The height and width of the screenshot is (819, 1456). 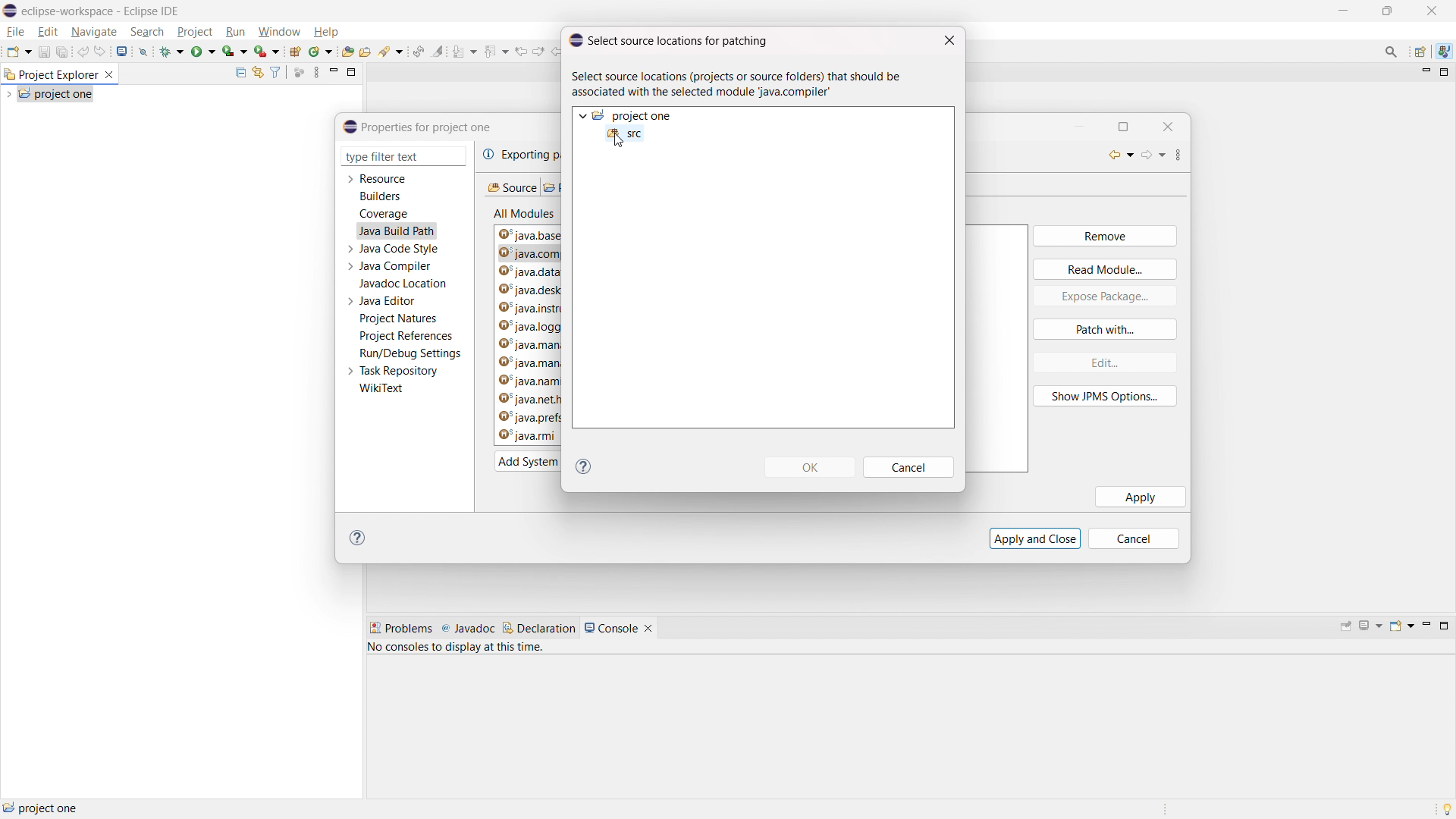 What do you see at coordinates (1186, 155) in the screenshot?
I see `view menu` at bounding box center [1186, 155].